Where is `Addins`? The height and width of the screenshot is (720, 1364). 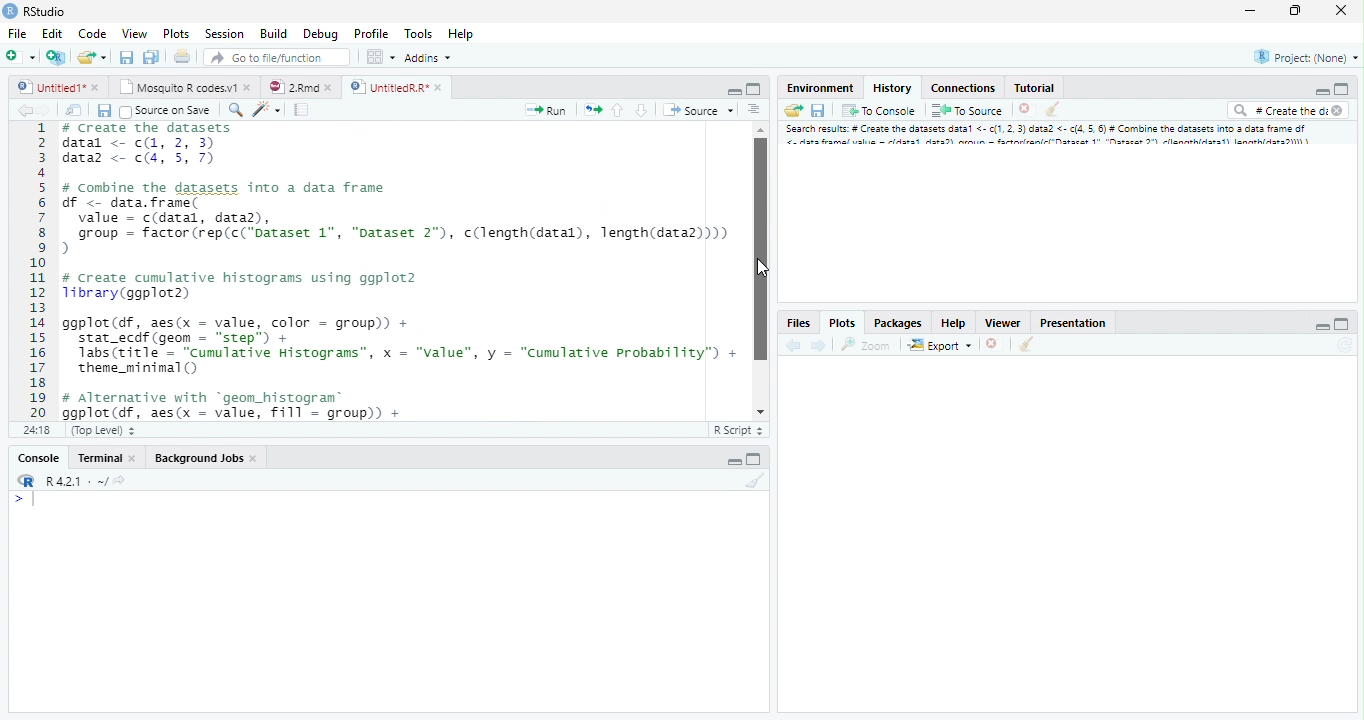 Addins is located at coordinates (429, 59).